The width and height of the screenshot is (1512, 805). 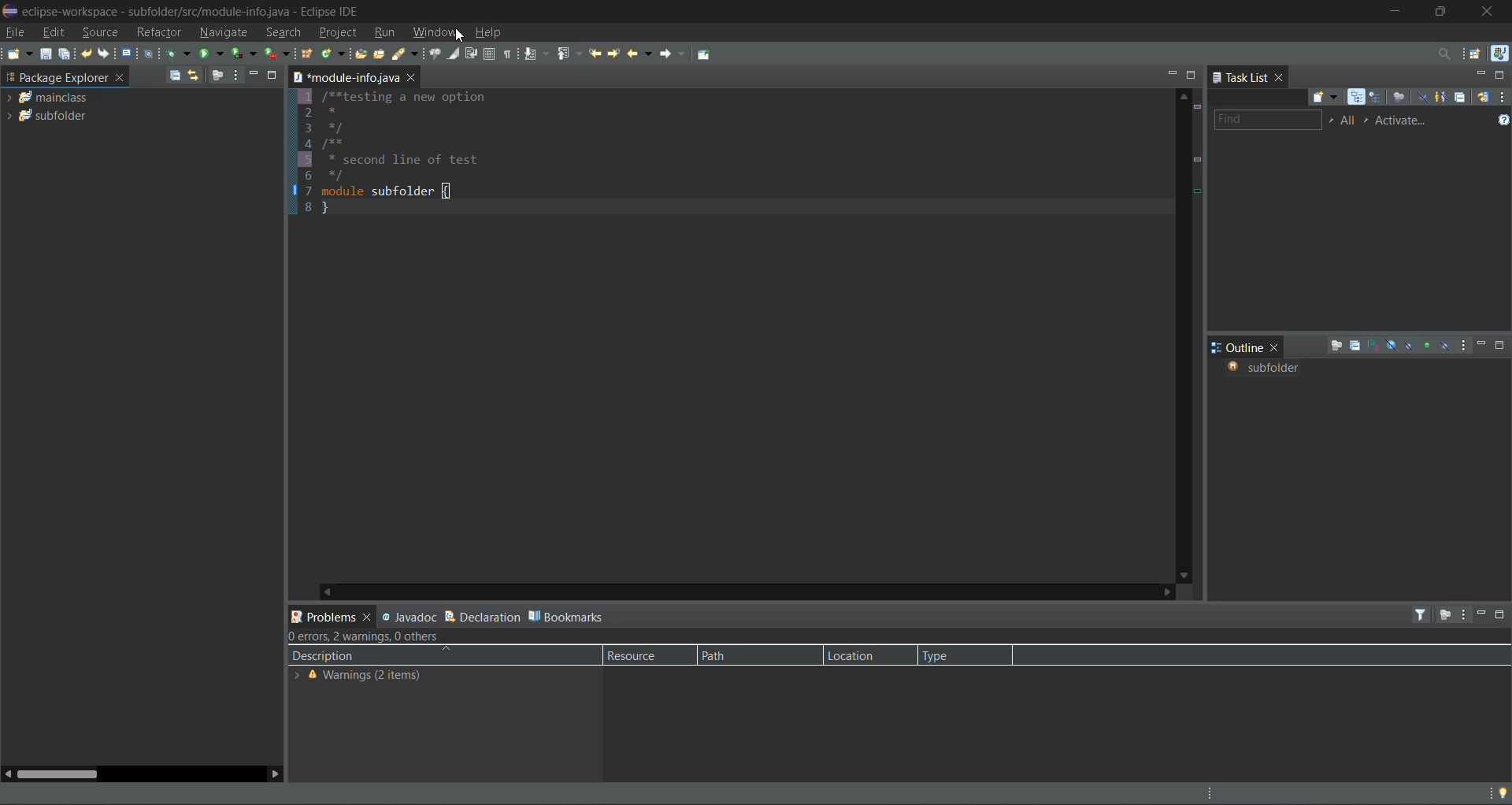 I want to click on close, so click(x=415, y=77).